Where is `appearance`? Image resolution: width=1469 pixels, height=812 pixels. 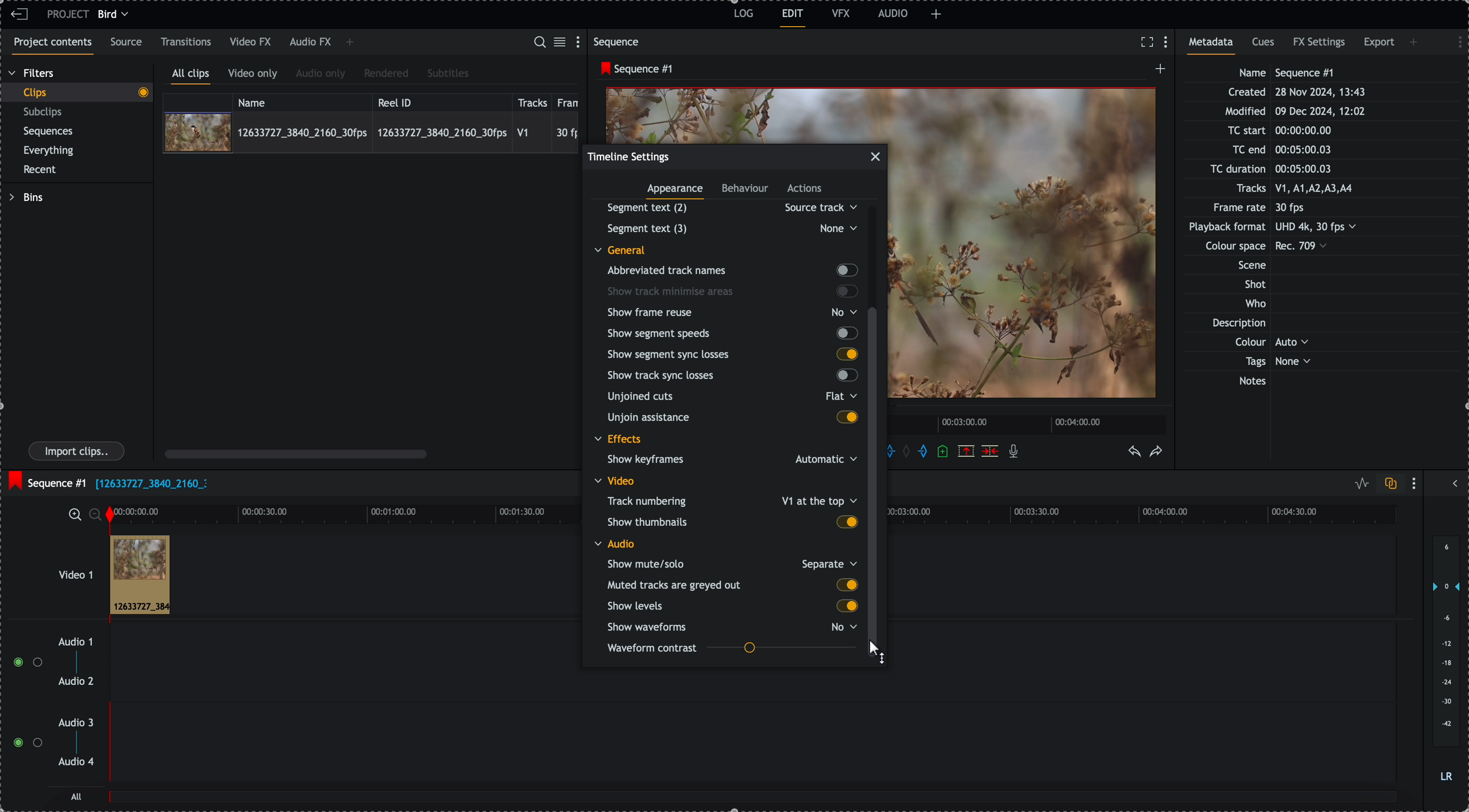 appearance is located at coordinates (677, 192).